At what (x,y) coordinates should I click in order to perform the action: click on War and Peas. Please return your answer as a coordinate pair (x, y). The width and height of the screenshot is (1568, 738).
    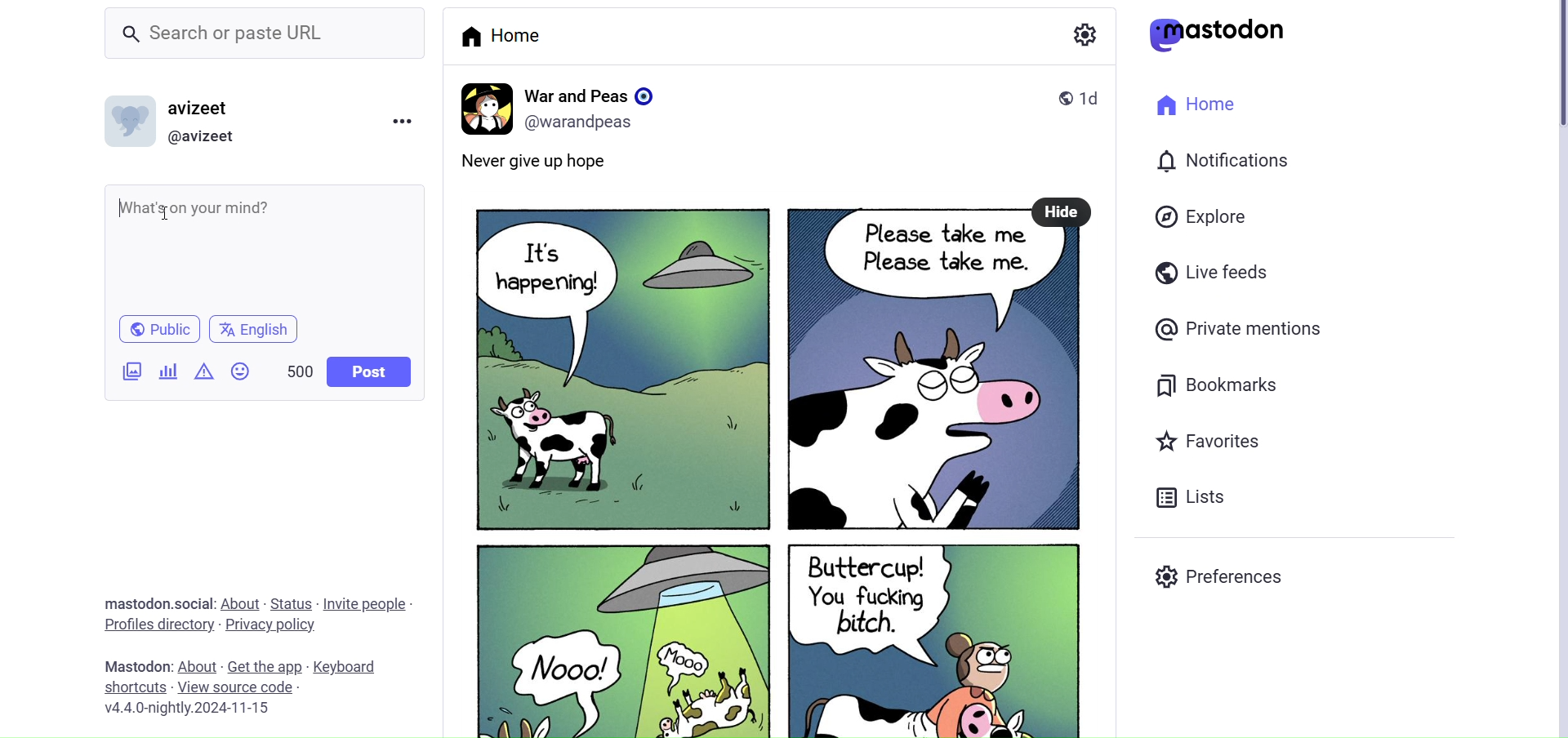
    Looking at the image, I should click on (593, 93).